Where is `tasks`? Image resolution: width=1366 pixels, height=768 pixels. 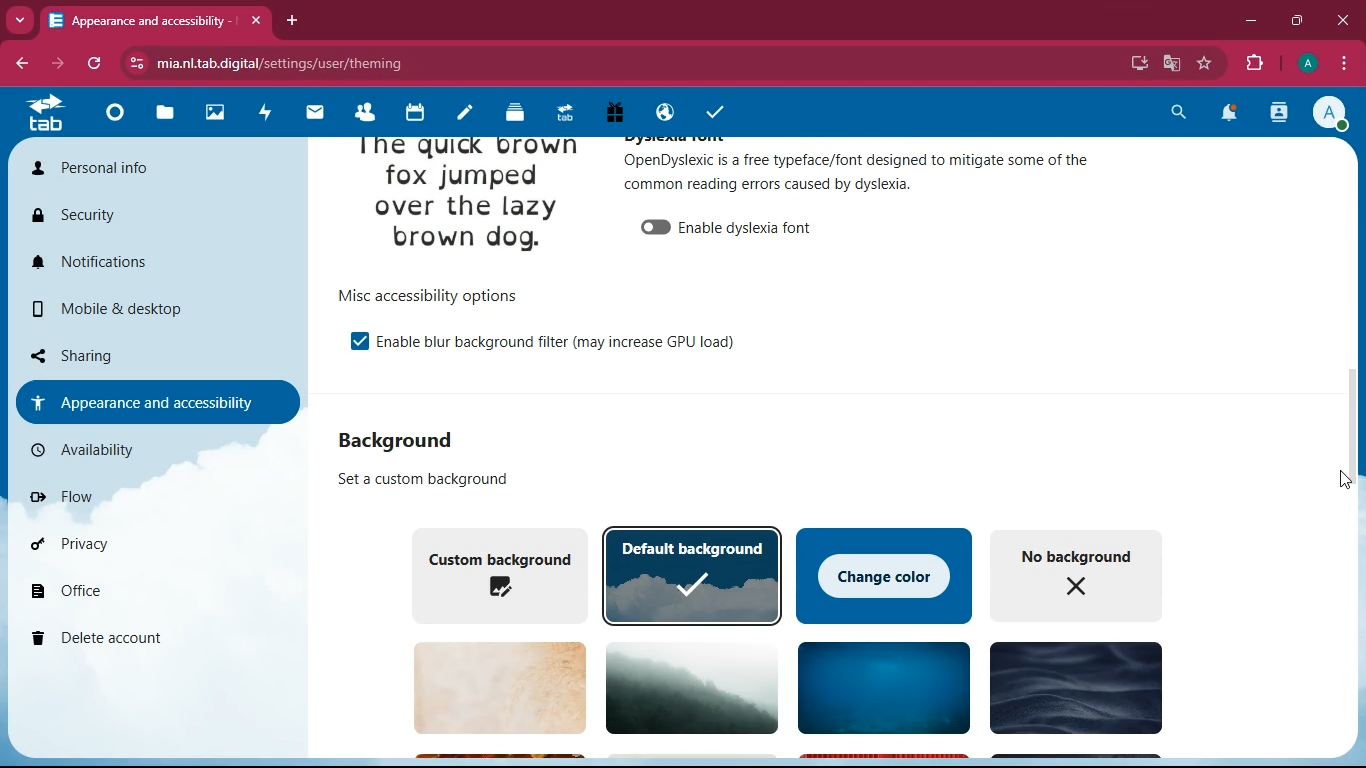
tasks is located at coordinates (711, 109).